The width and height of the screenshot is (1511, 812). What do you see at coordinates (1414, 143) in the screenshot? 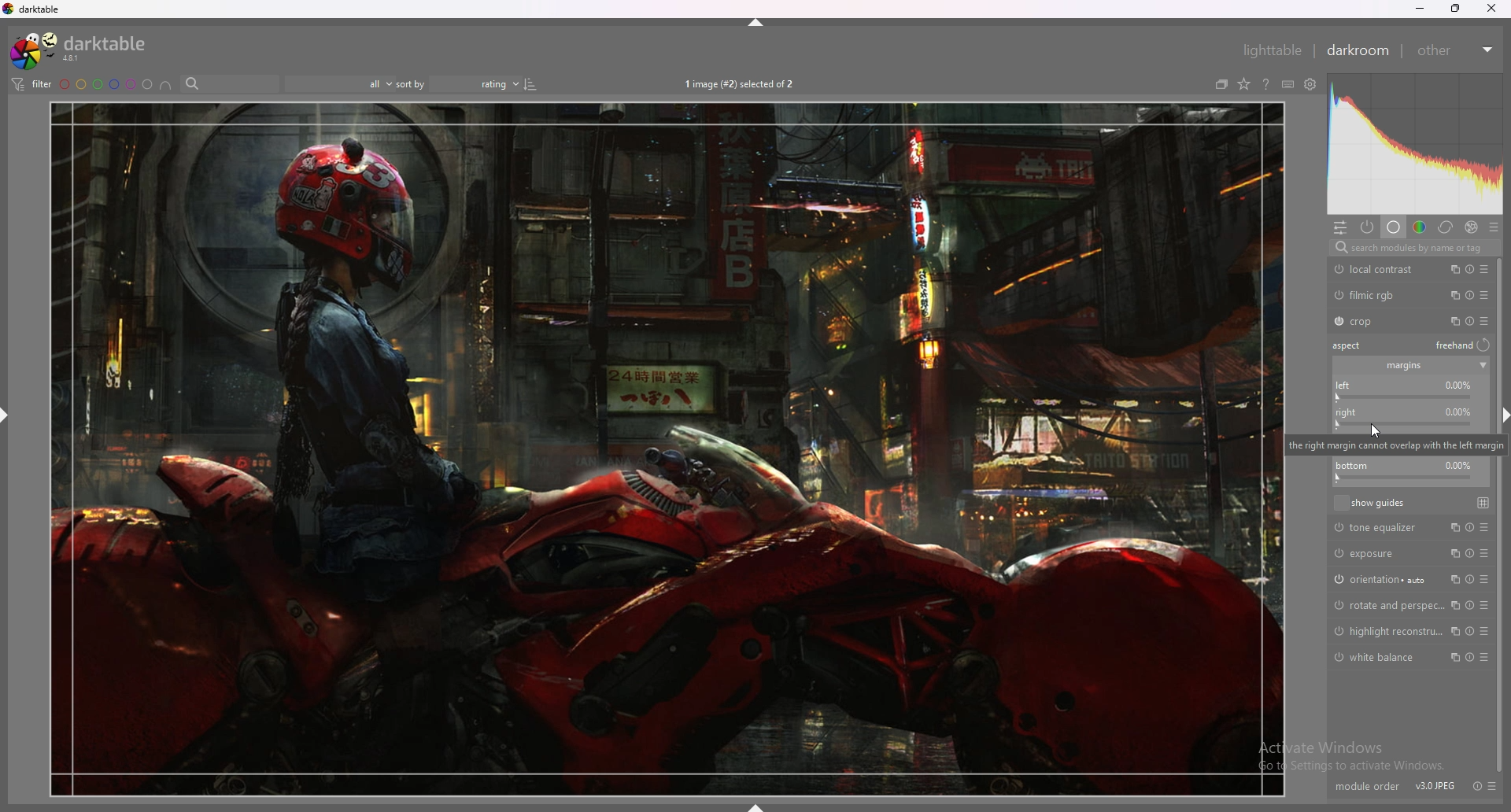
I see `heat map` at bounding box center [1414, 143].